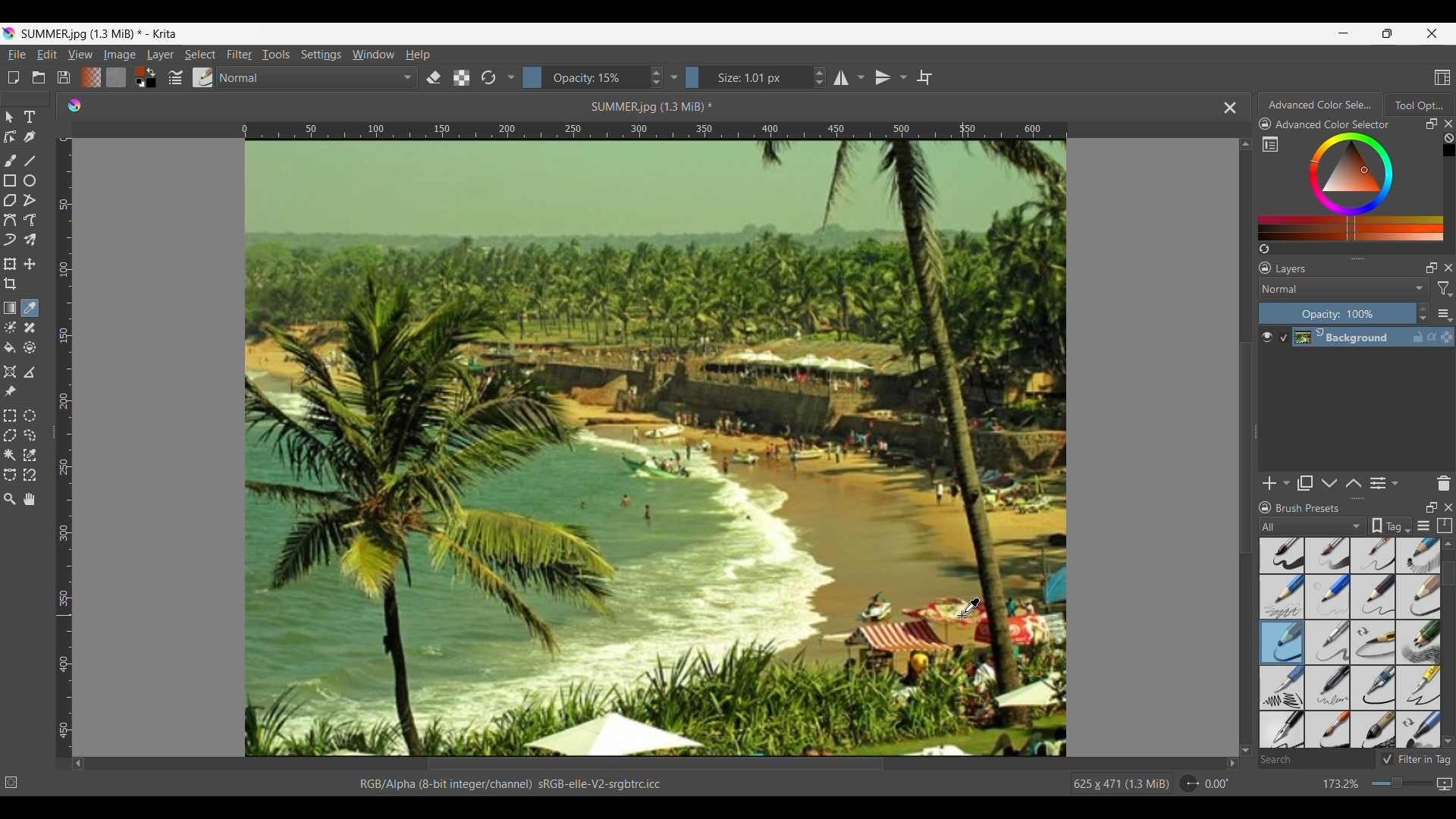 This screenshot has width=1456, height=819. I want to click on Change width of panels attached to the line, so click(1255, 441).